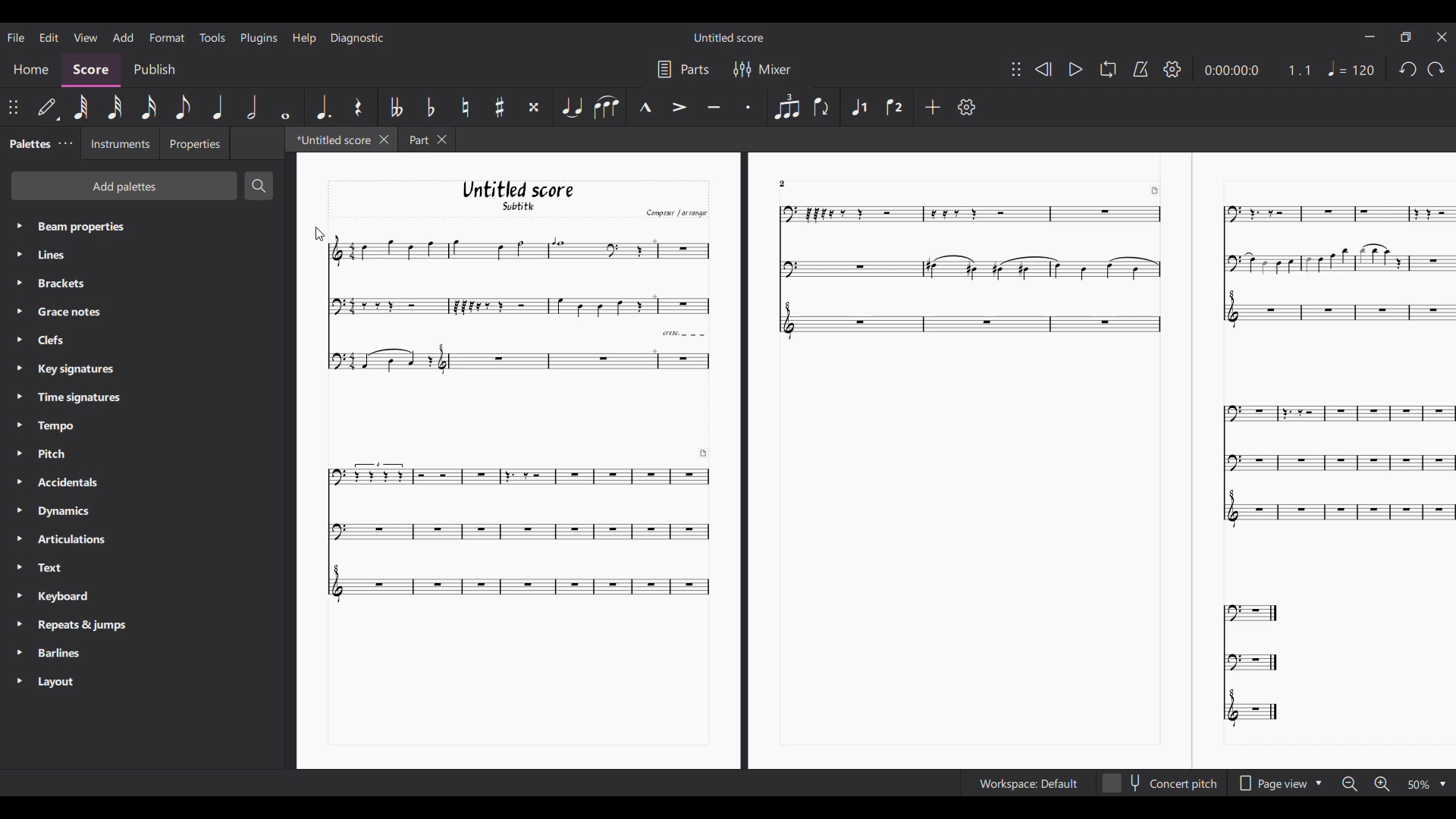 The height and width of the screenshot is (819, 1456). Describe the element at coordinates (15, 682) in the screenshot. I see `` at that location.